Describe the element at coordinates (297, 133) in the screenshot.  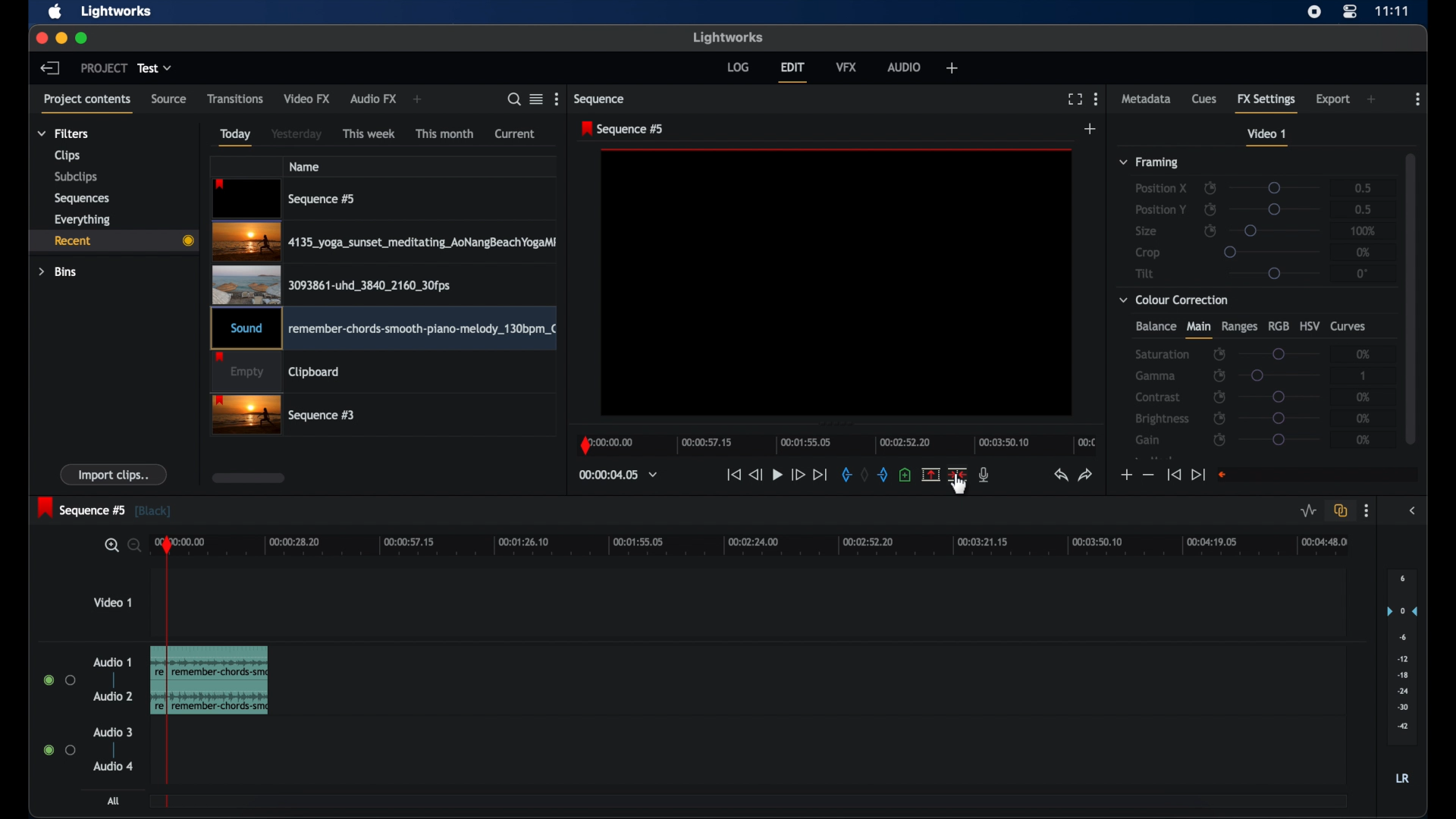
I see `yesterday` at that location.